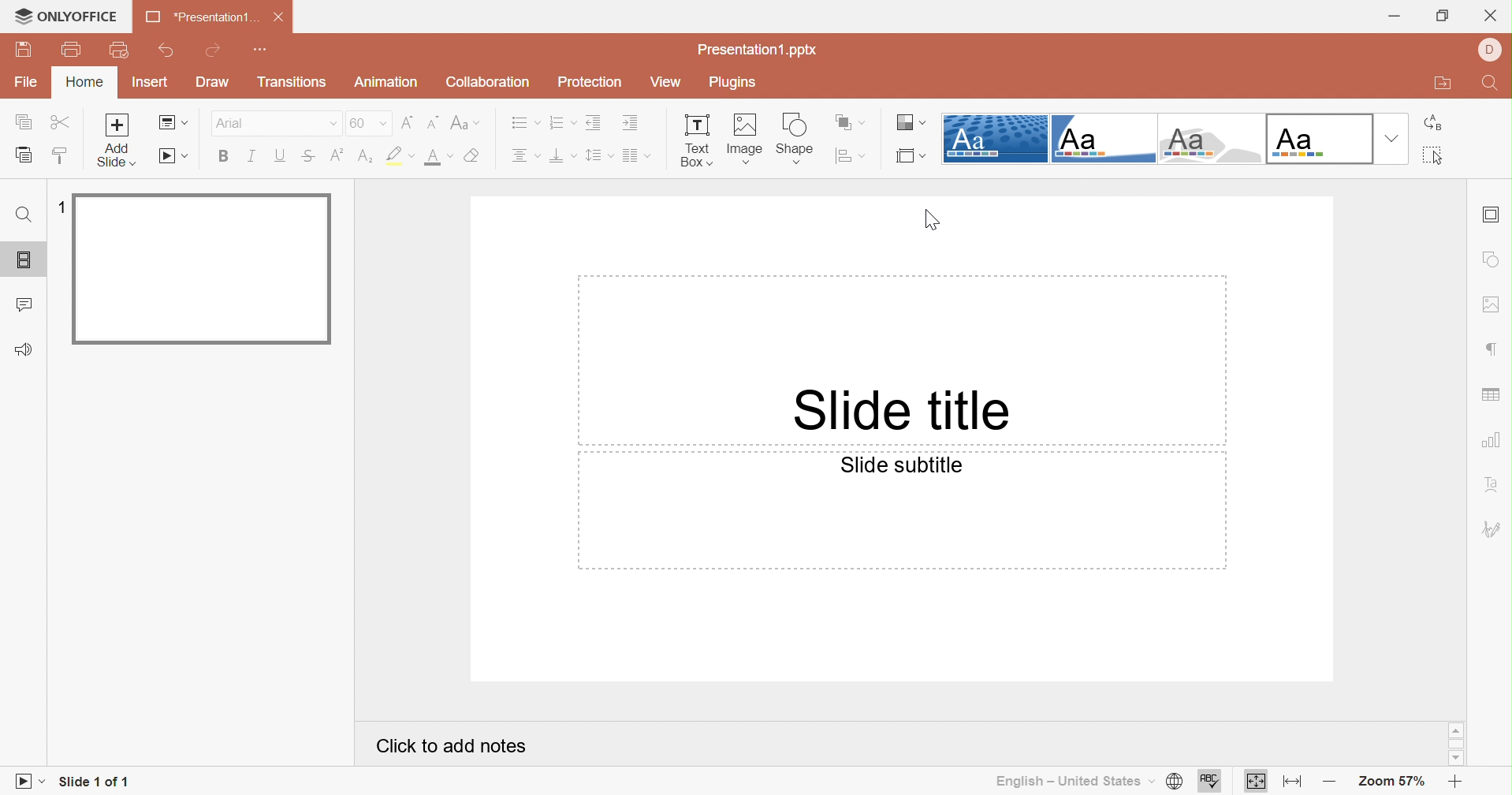 The image size is (1512, 795). I want to click on Strikethrough, so click(305, 155).